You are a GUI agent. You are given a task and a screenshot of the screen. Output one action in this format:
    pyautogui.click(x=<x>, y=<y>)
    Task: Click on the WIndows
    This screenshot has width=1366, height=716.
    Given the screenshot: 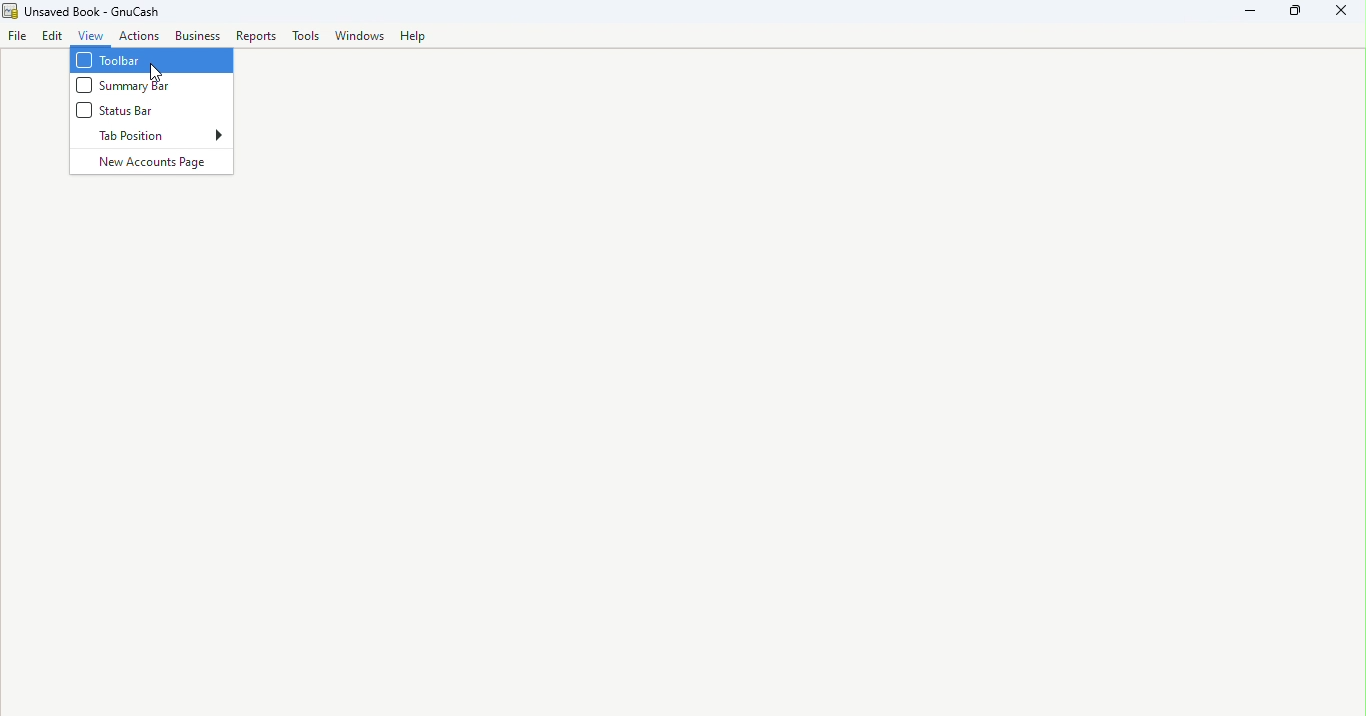 What is the action you would take?
    pyautogui.click(x=362, y=37)
    